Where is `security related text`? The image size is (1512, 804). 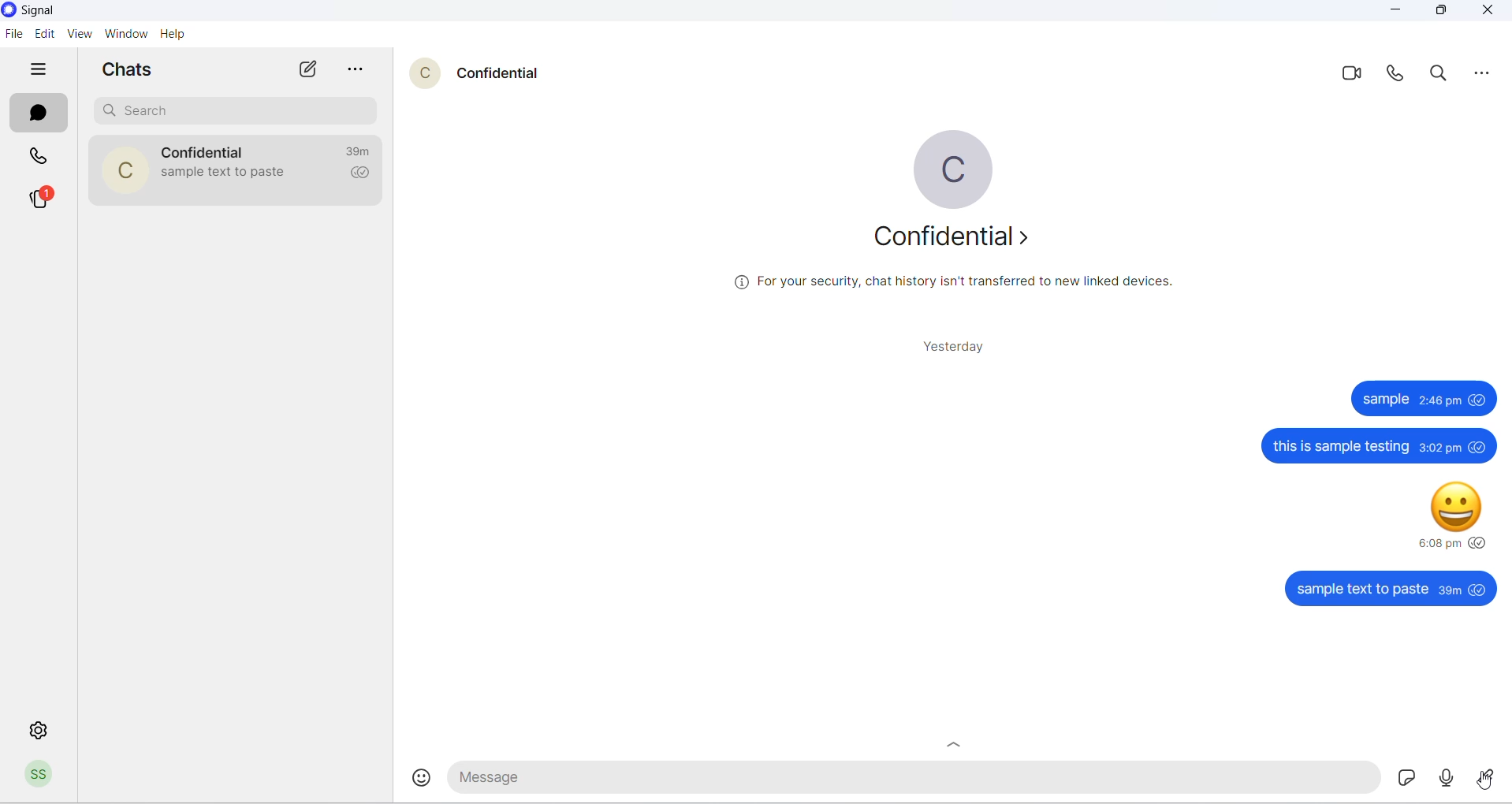 security related text is located at coordinates (963, 281).